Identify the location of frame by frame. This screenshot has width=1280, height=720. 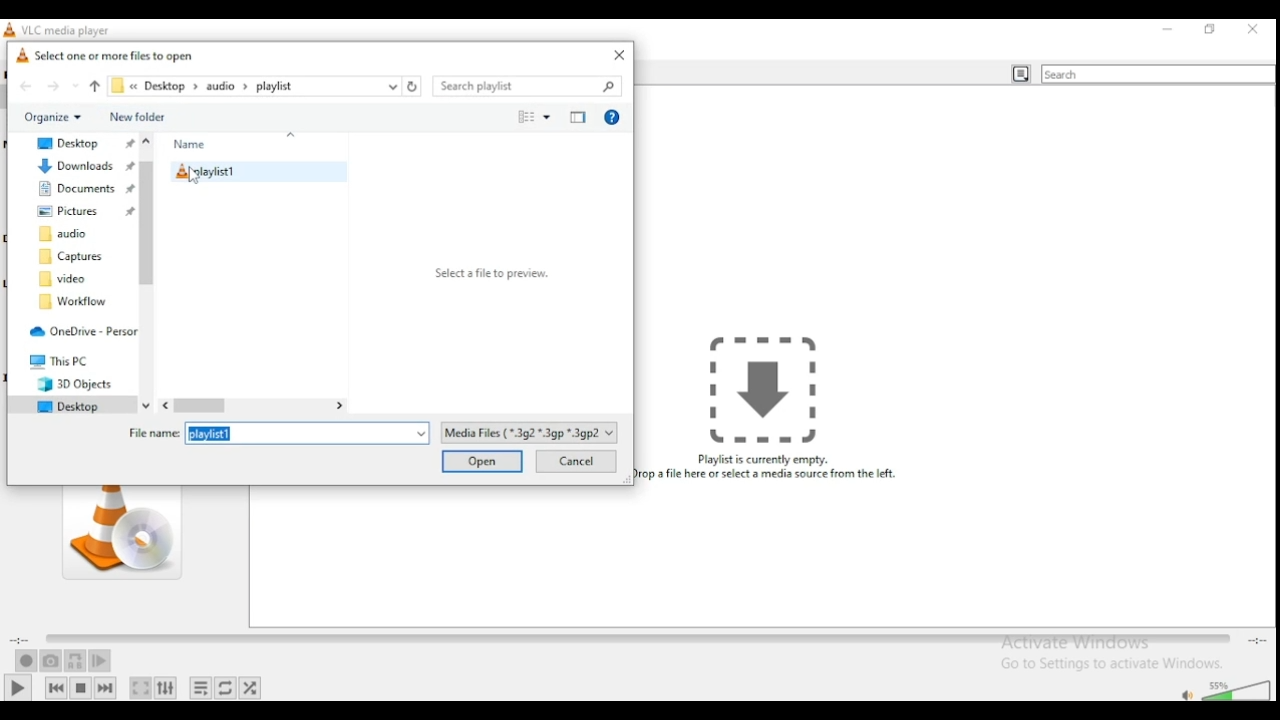
(100, 660).